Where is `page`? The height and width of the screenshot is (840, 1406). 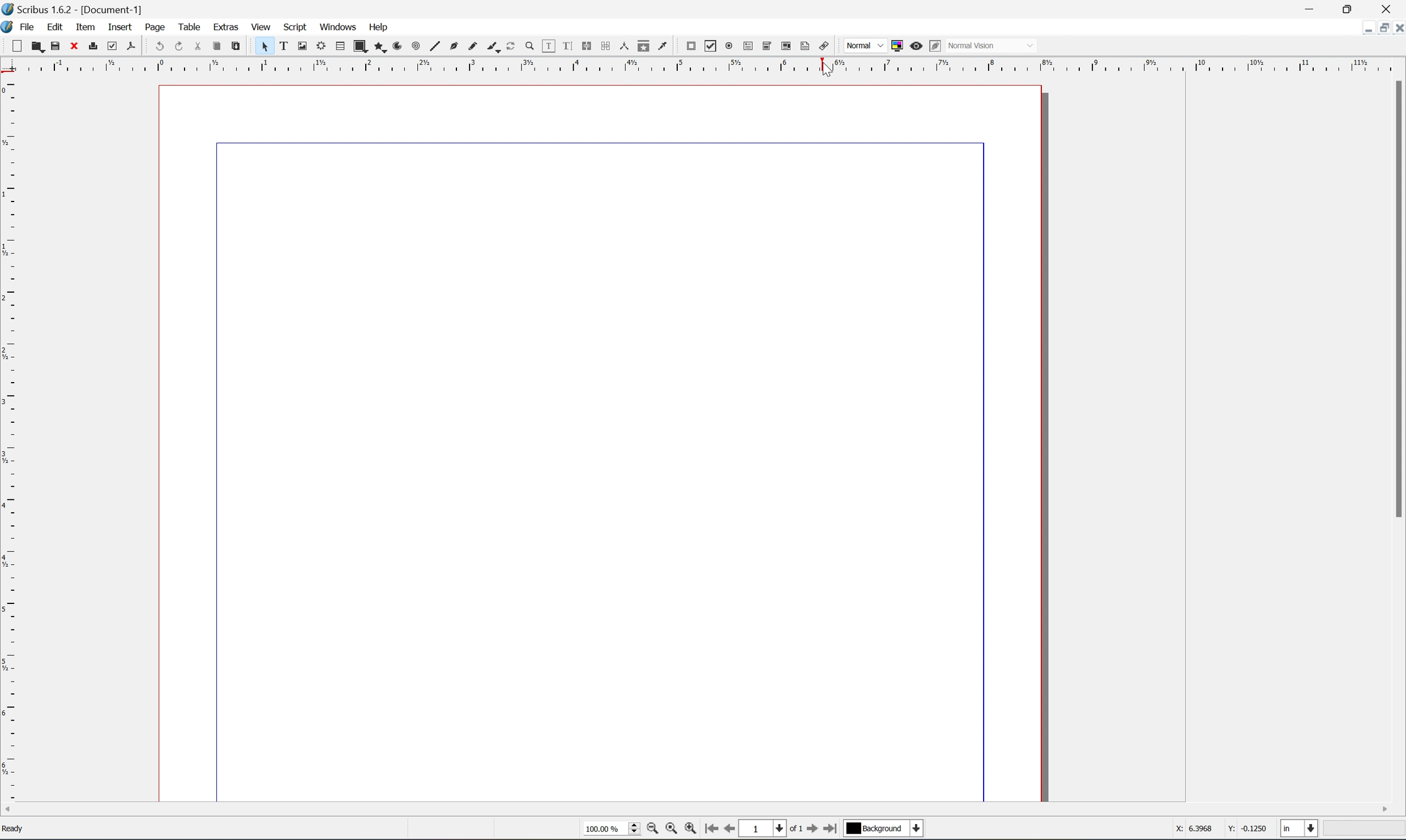
page is located at coordinates (148, 26).